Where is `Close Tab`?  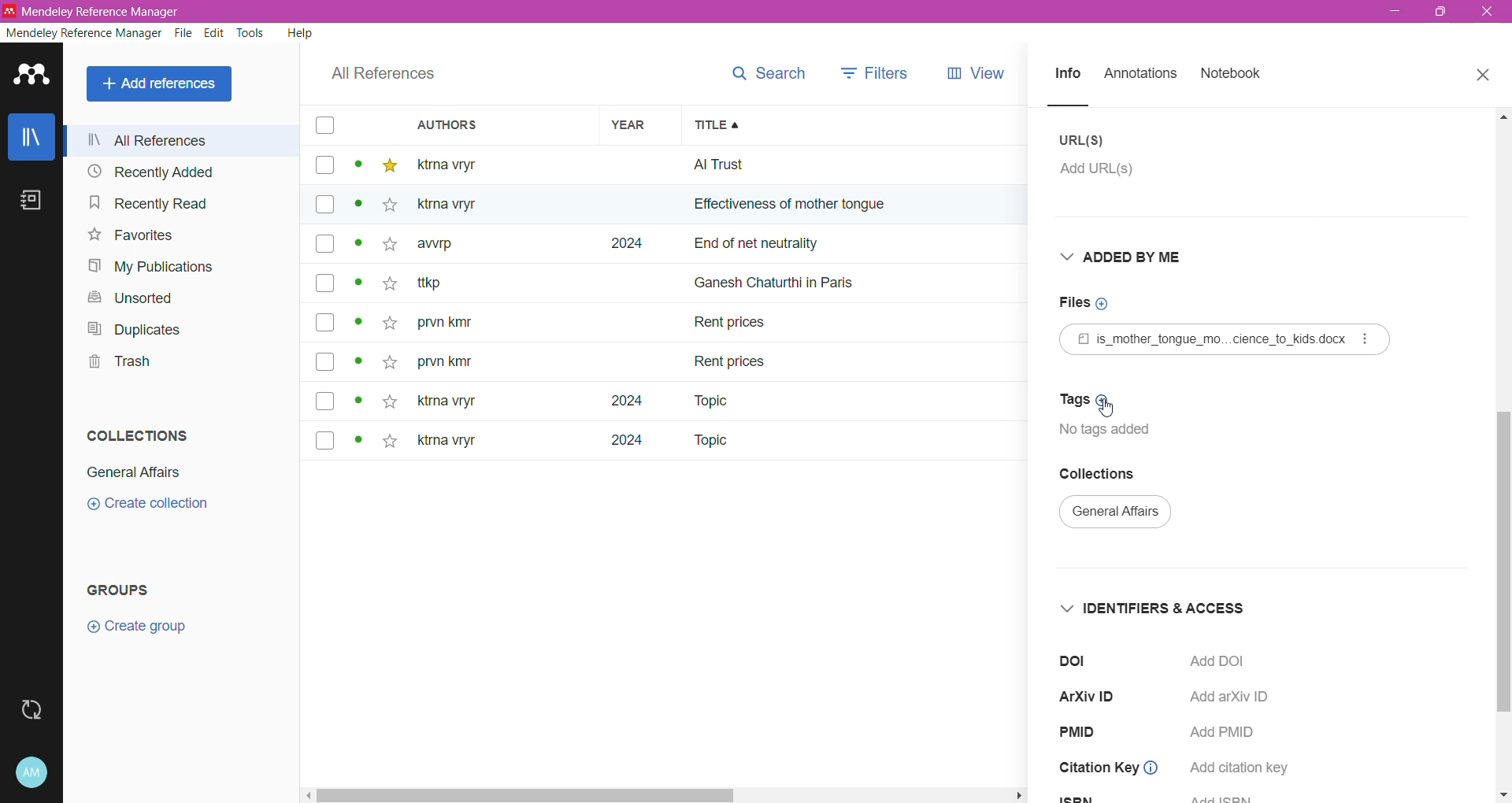
Close Tab is located at coordinates (1485, 76).